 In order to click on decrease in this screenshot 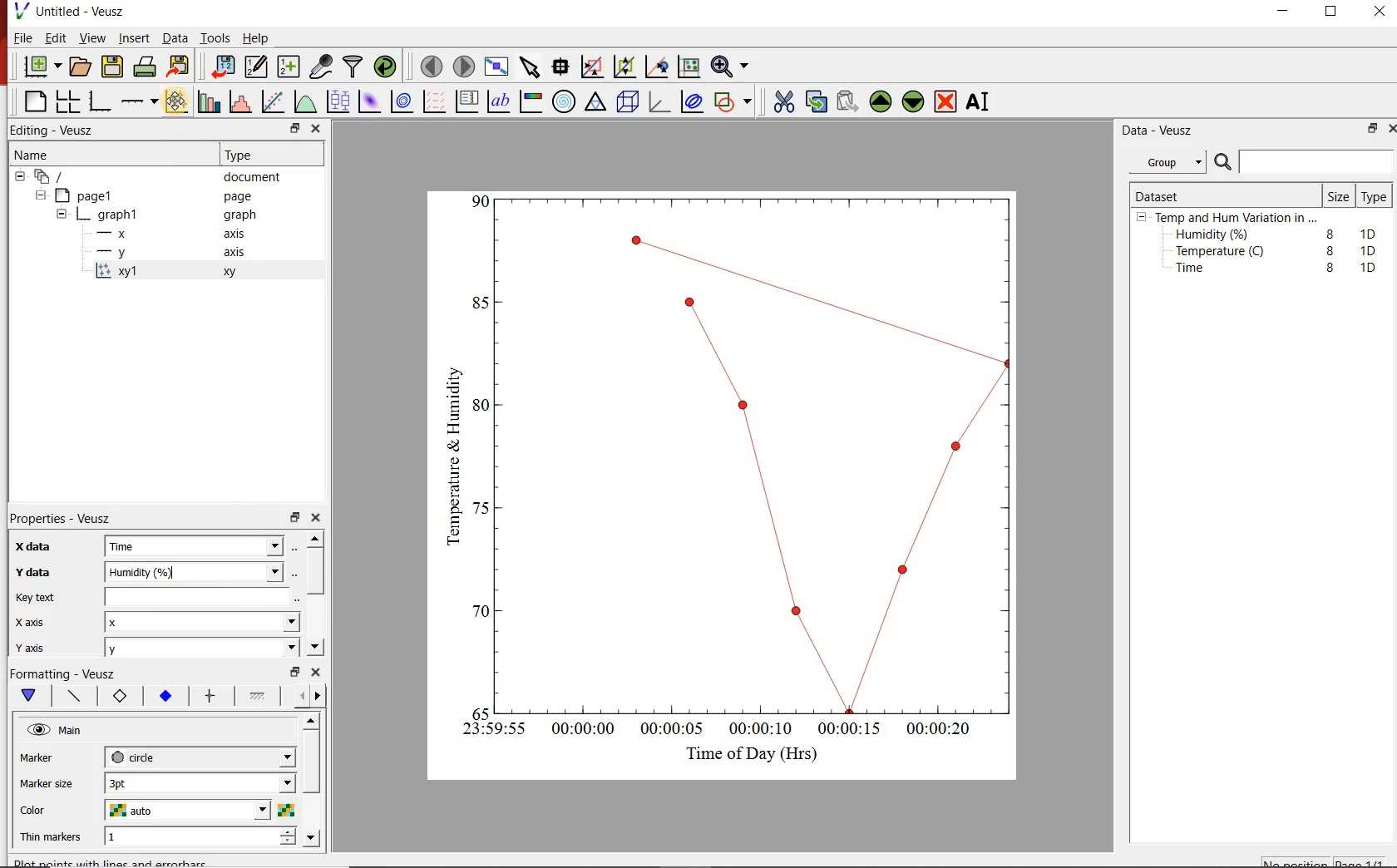, I will do `click(287, 846)`.